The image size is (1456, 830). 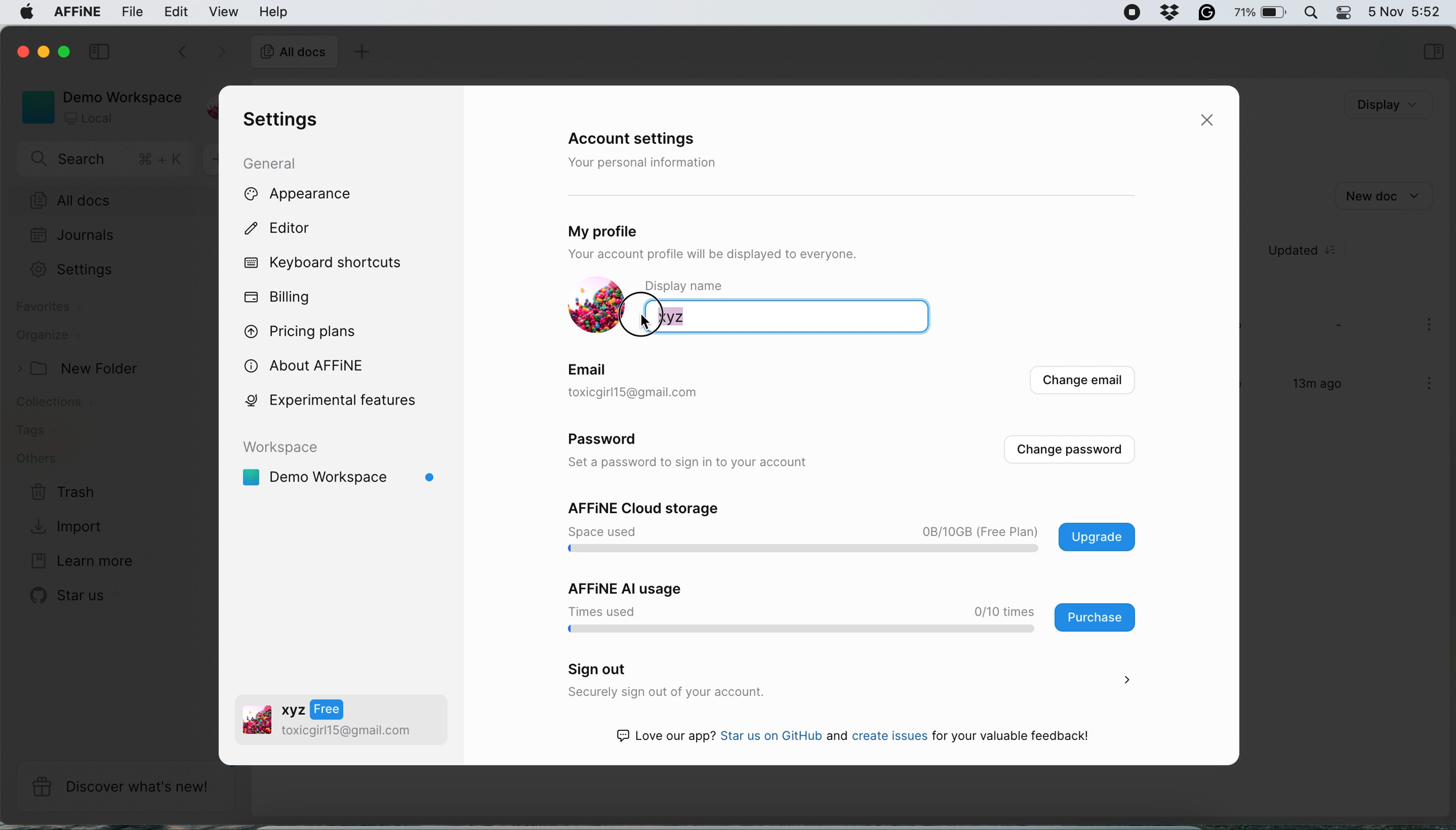 I want to click on new doc, so click(x=1382, y=194).